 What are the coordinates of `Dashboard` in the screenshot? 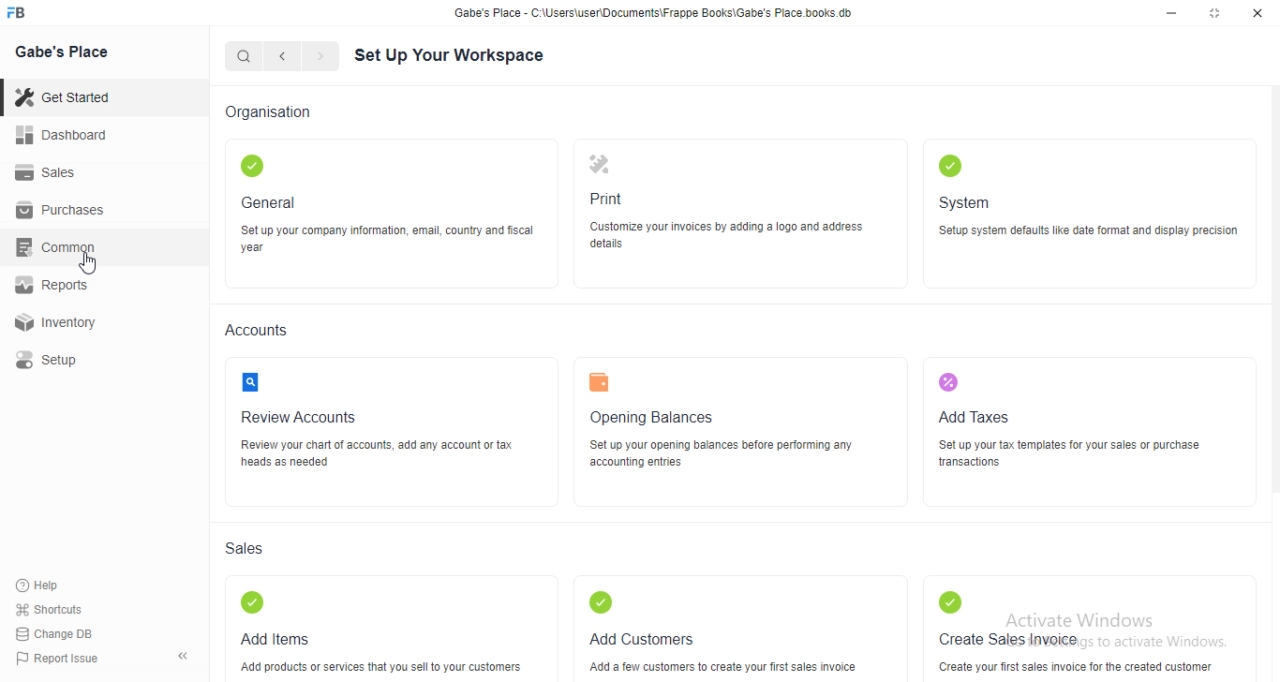 It's located at (59, 135).